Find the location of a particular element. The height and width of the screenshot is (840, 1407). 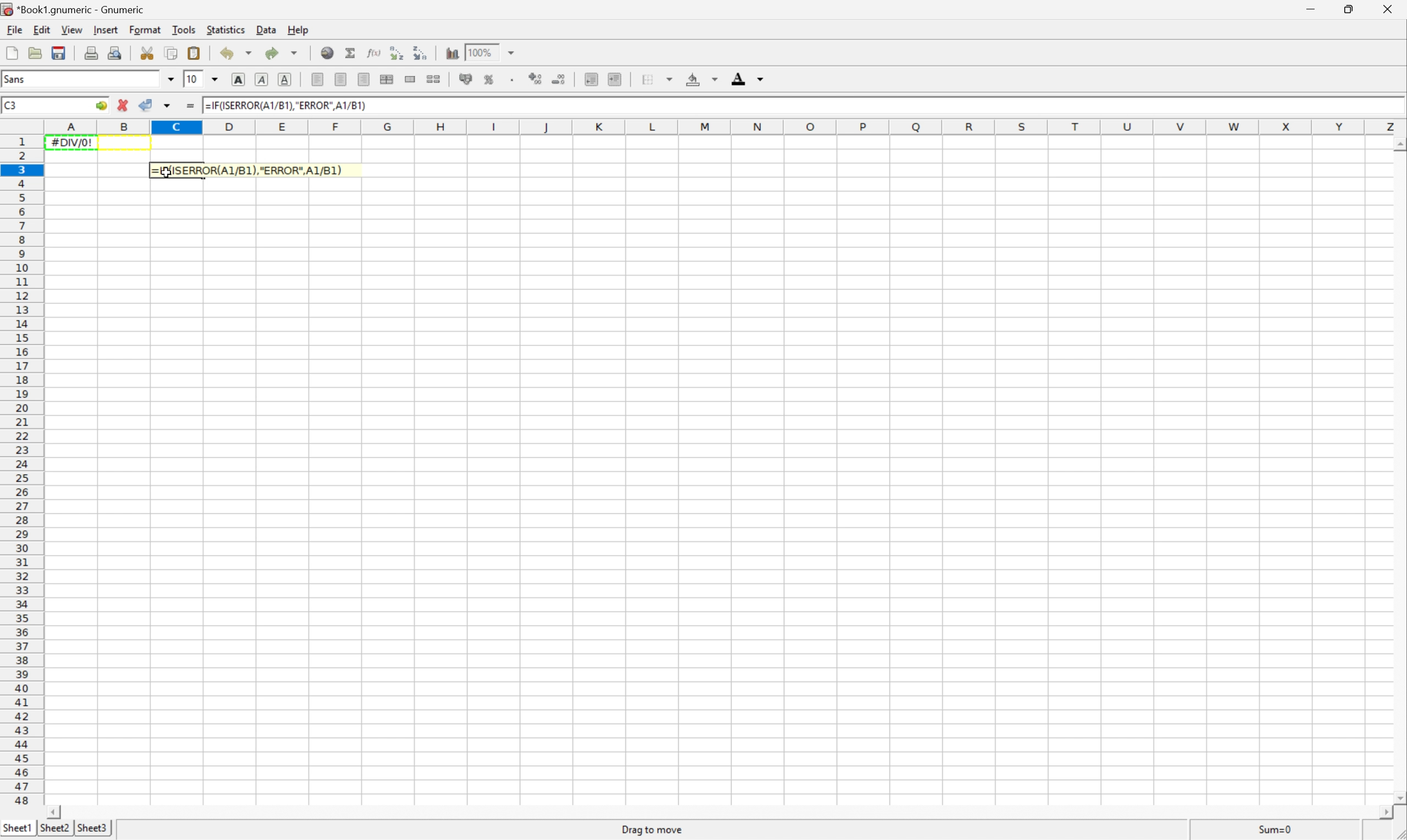

100% is located at coordinates (482, 52).